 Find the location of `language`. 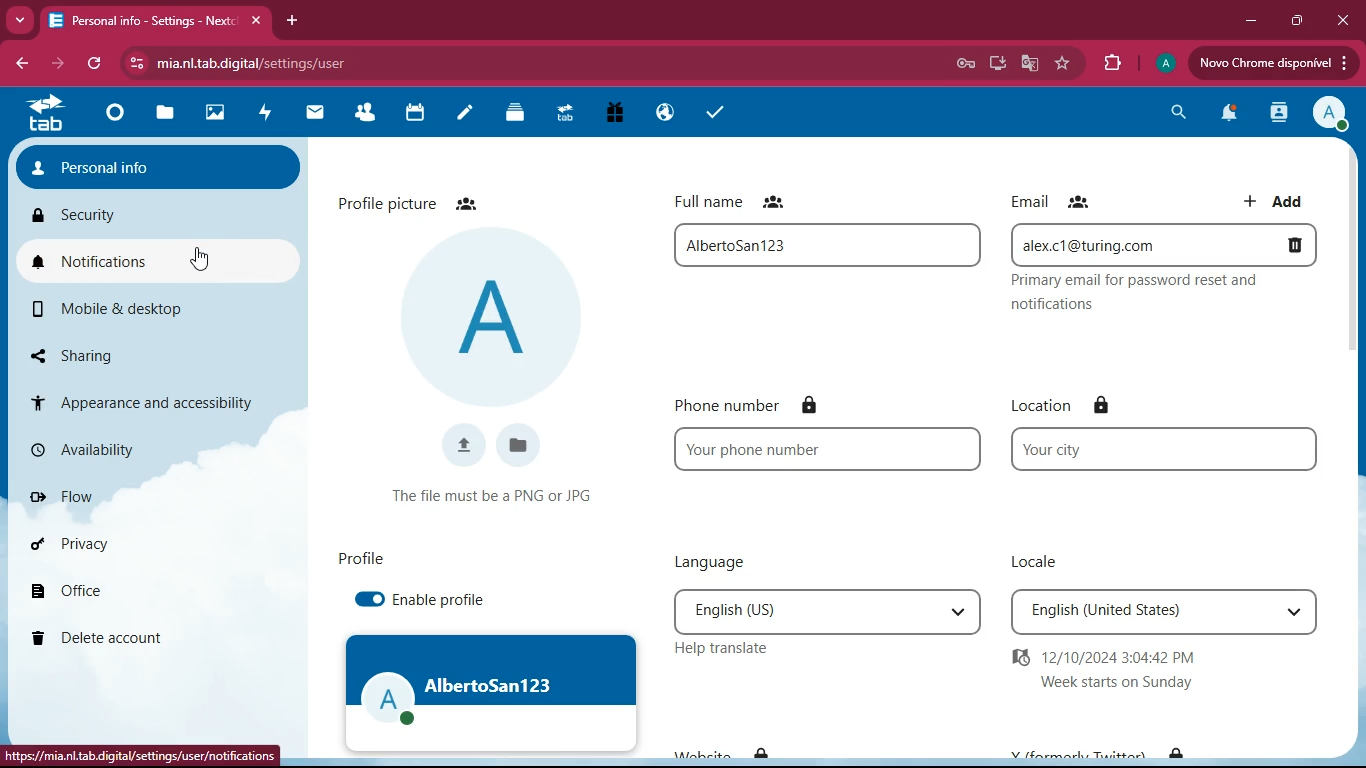

language is located at coordinates (824, 612).